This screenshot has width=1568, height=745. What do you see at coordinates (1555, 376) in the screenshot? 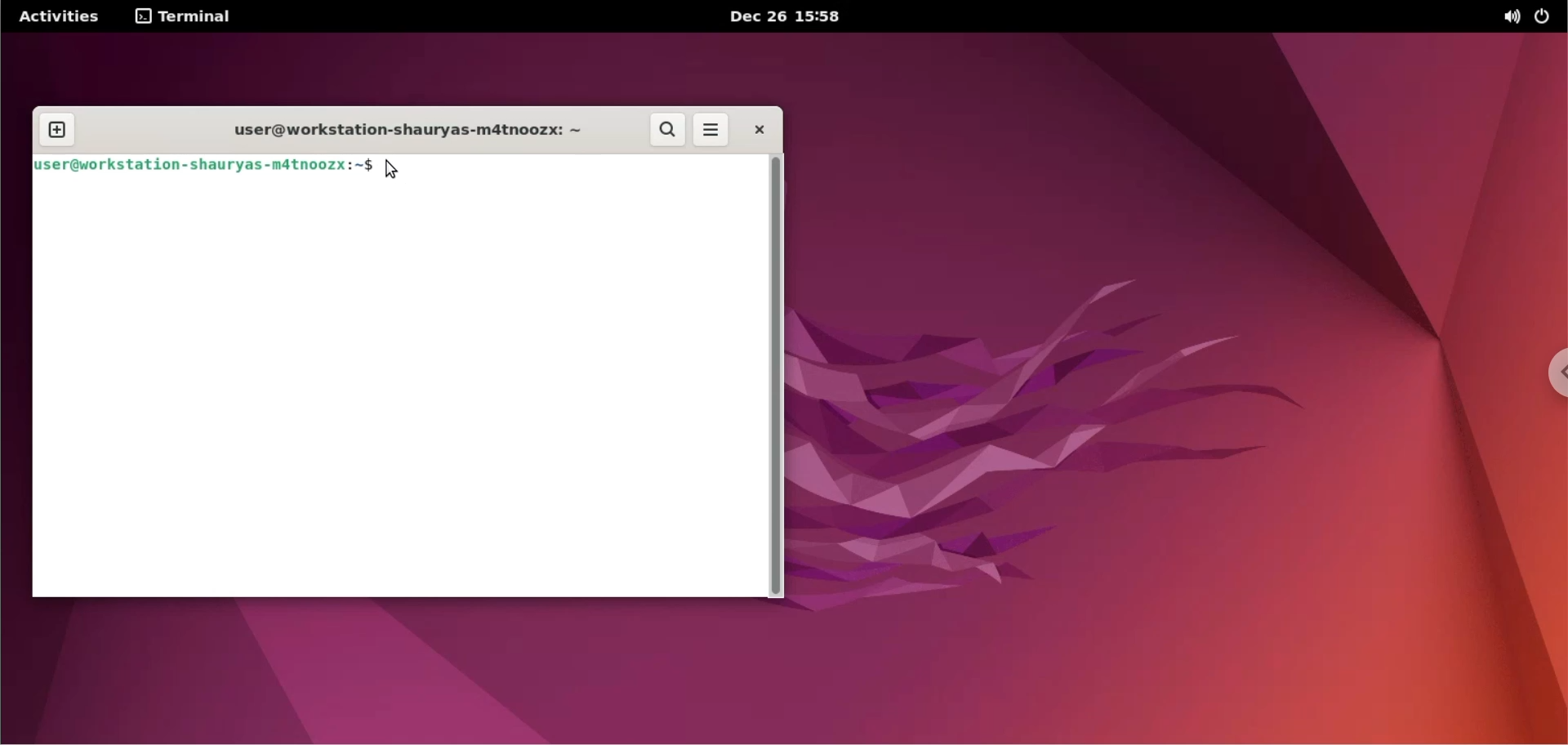
I see `chrome options` at bounding box center [1555, 376].